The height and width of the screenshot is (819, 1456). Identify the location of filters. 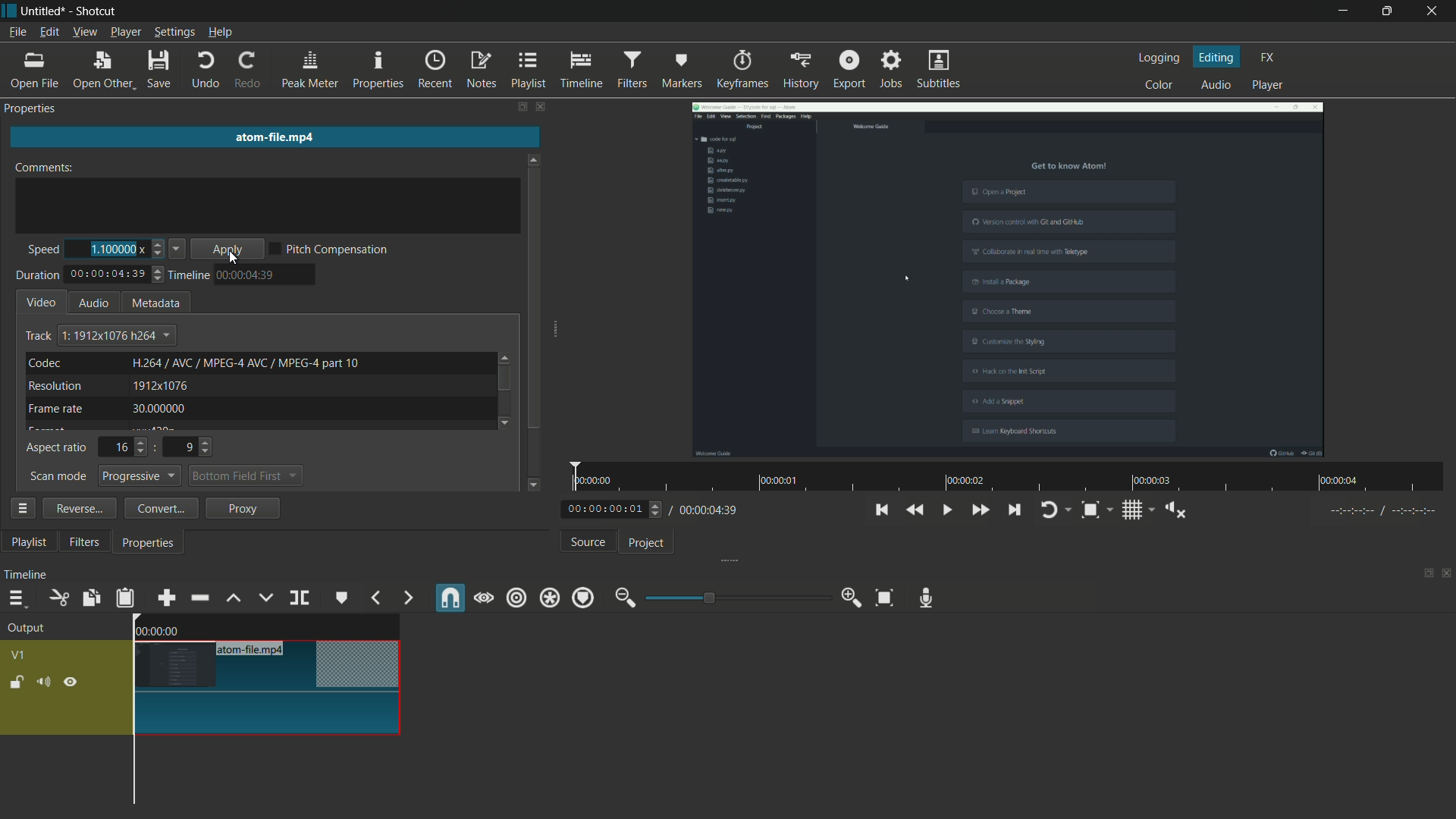
(85, 542).